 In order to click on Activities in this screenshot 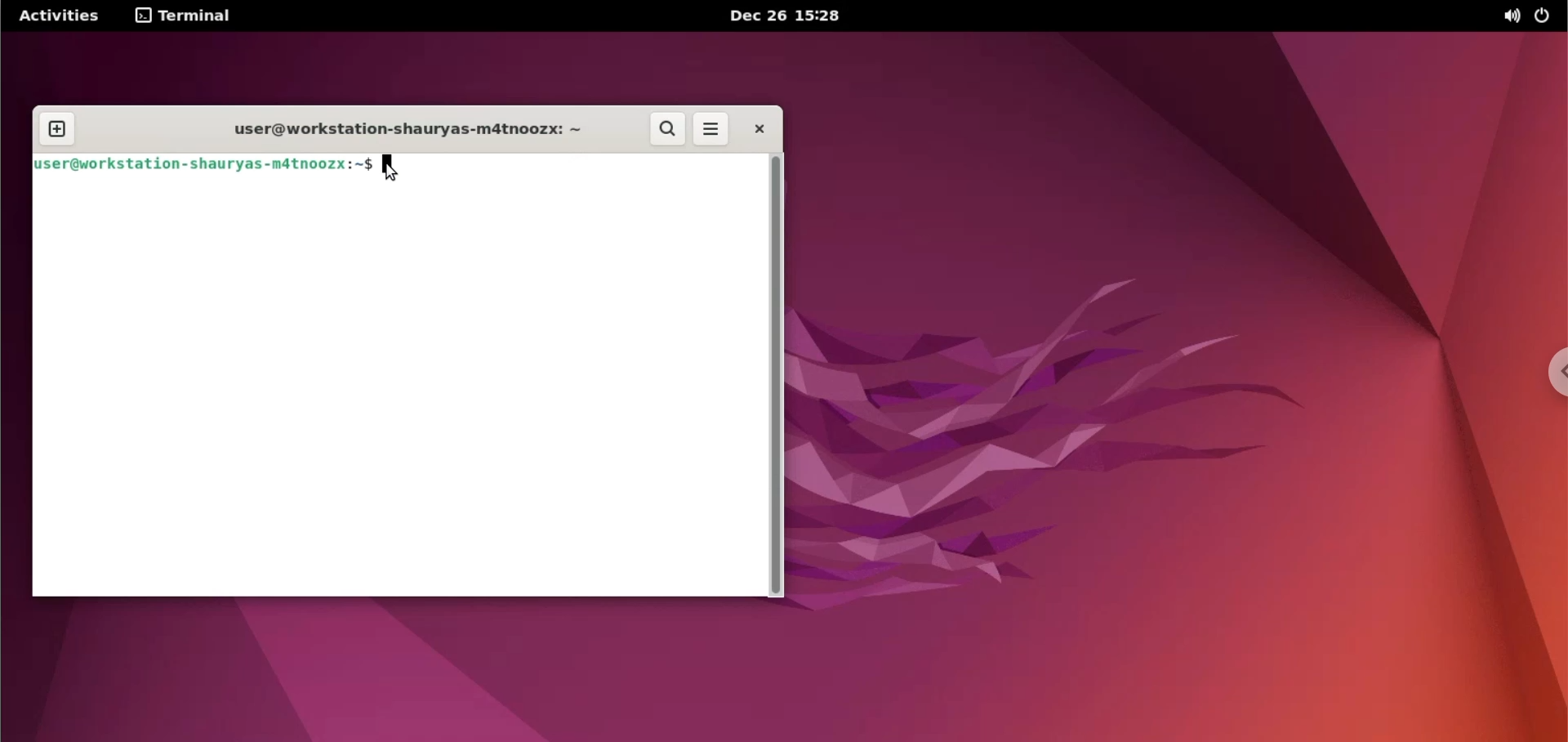, I will do `click(56, 17)`.